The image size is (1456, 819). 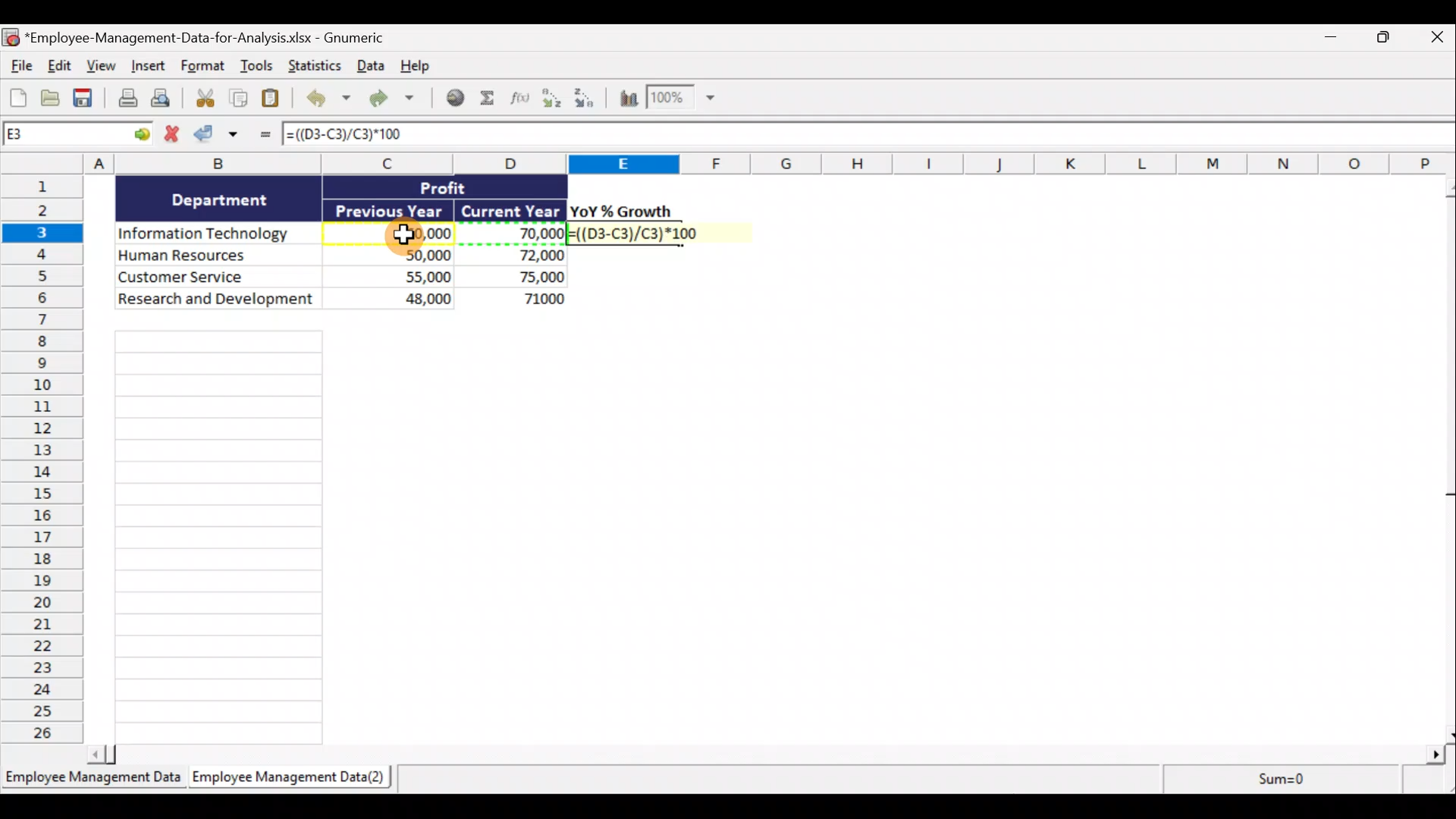 What do you see at coordinates (208, 36) in the screenshot?
I see `Document name` at bounding box center [208, 36].